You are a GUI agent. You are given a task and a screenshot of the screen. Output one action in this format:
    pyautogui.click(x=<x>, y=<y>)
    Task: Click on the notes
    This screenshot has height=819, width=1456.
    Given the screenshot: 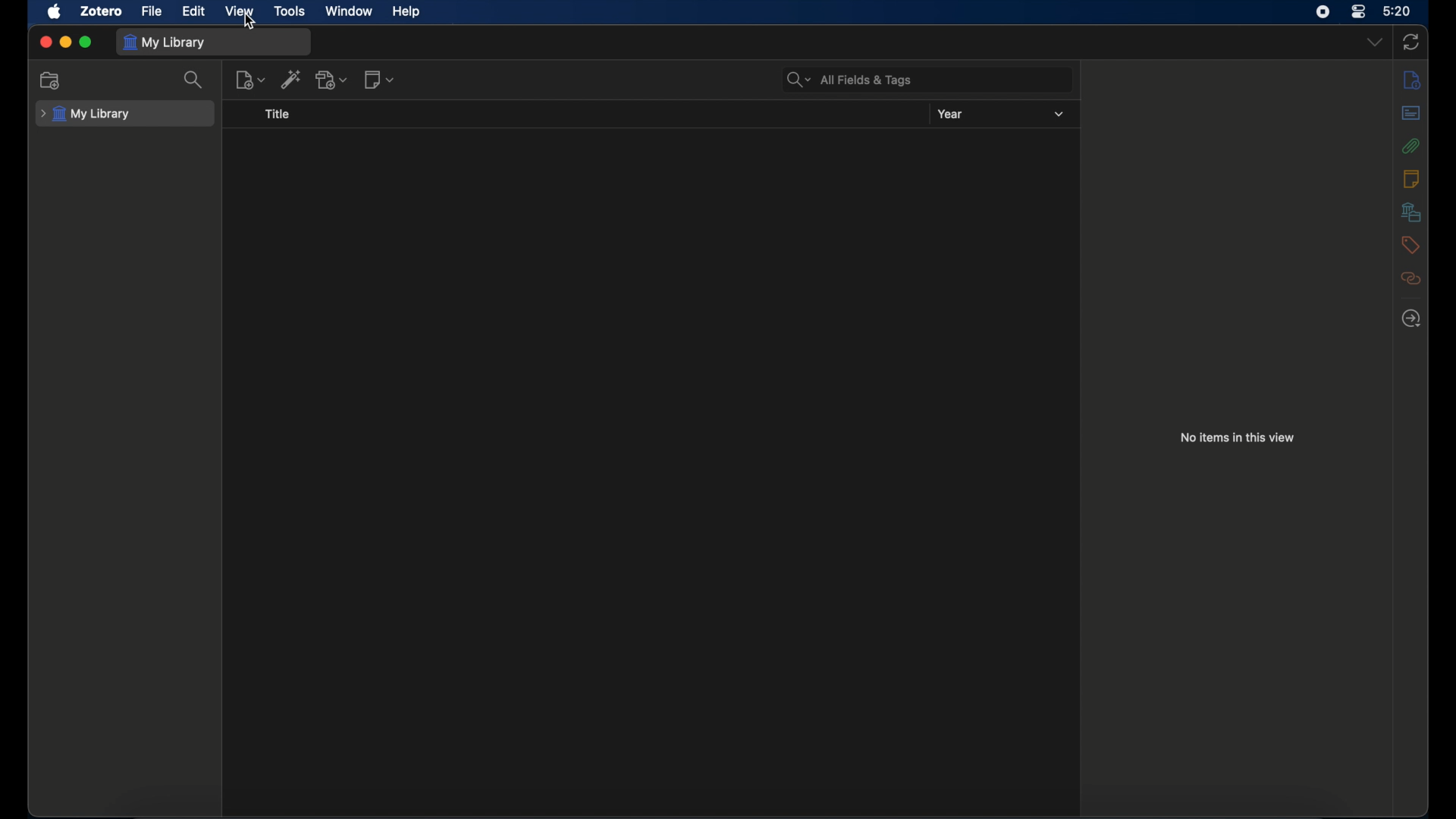 What is the action you would take?
    pyautogui.click(x=1410, y=178)
    